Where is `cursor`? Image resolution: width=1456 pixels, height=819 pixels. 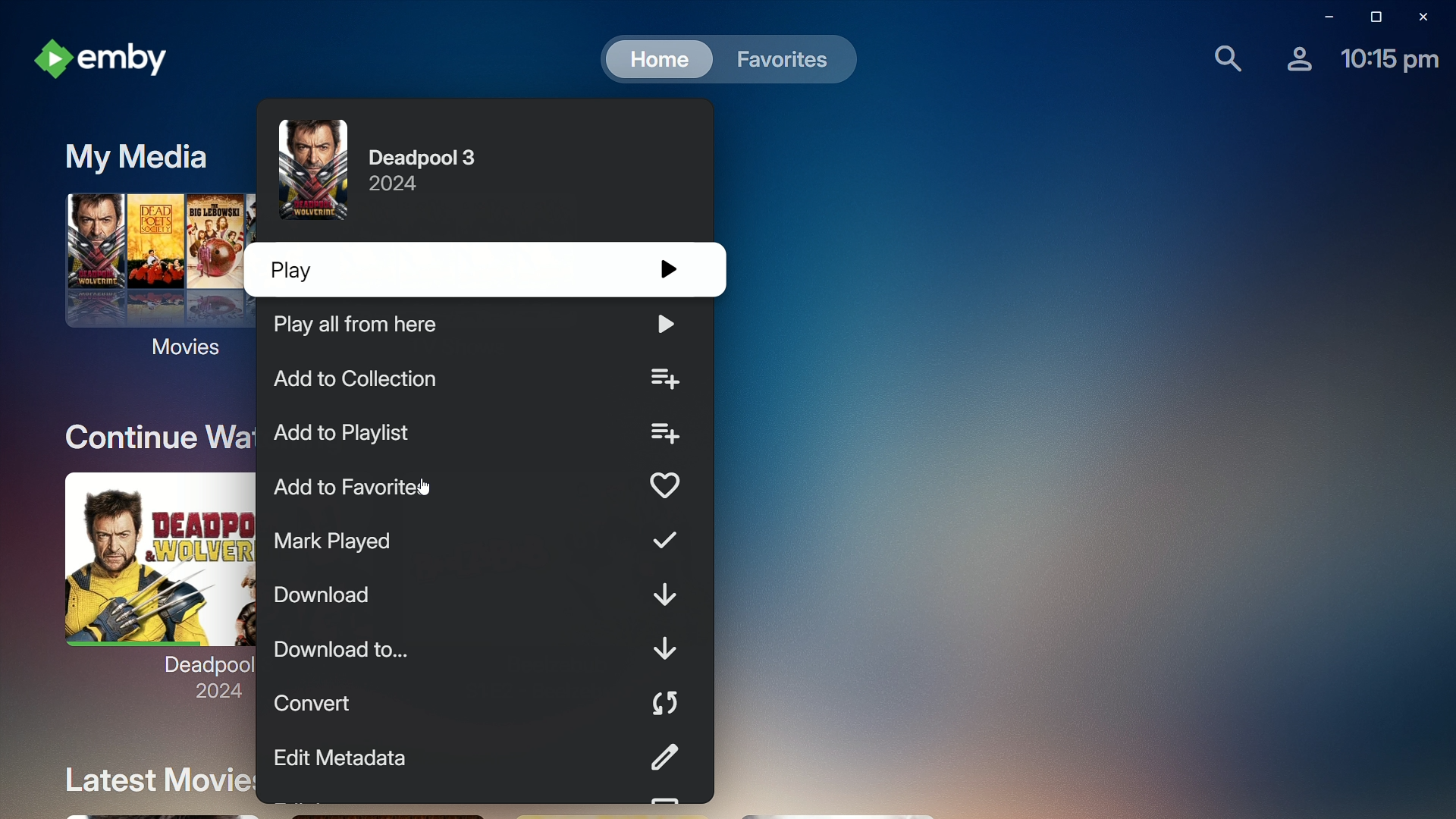
cursor is located at coordinates (426, 490).